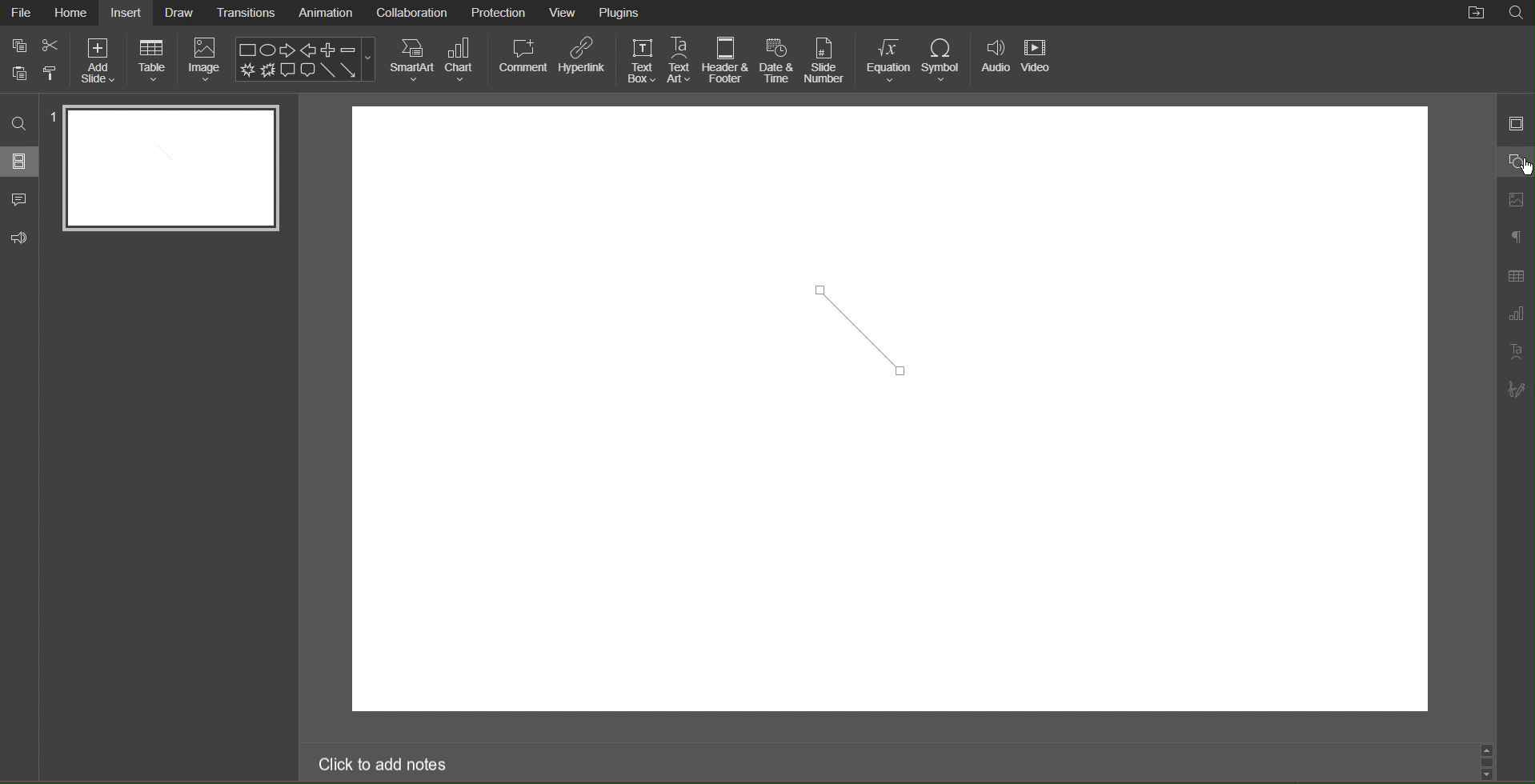 The height and width of the screenshot is (784, 1535). I want to click on Symbol, so click(946, 58).